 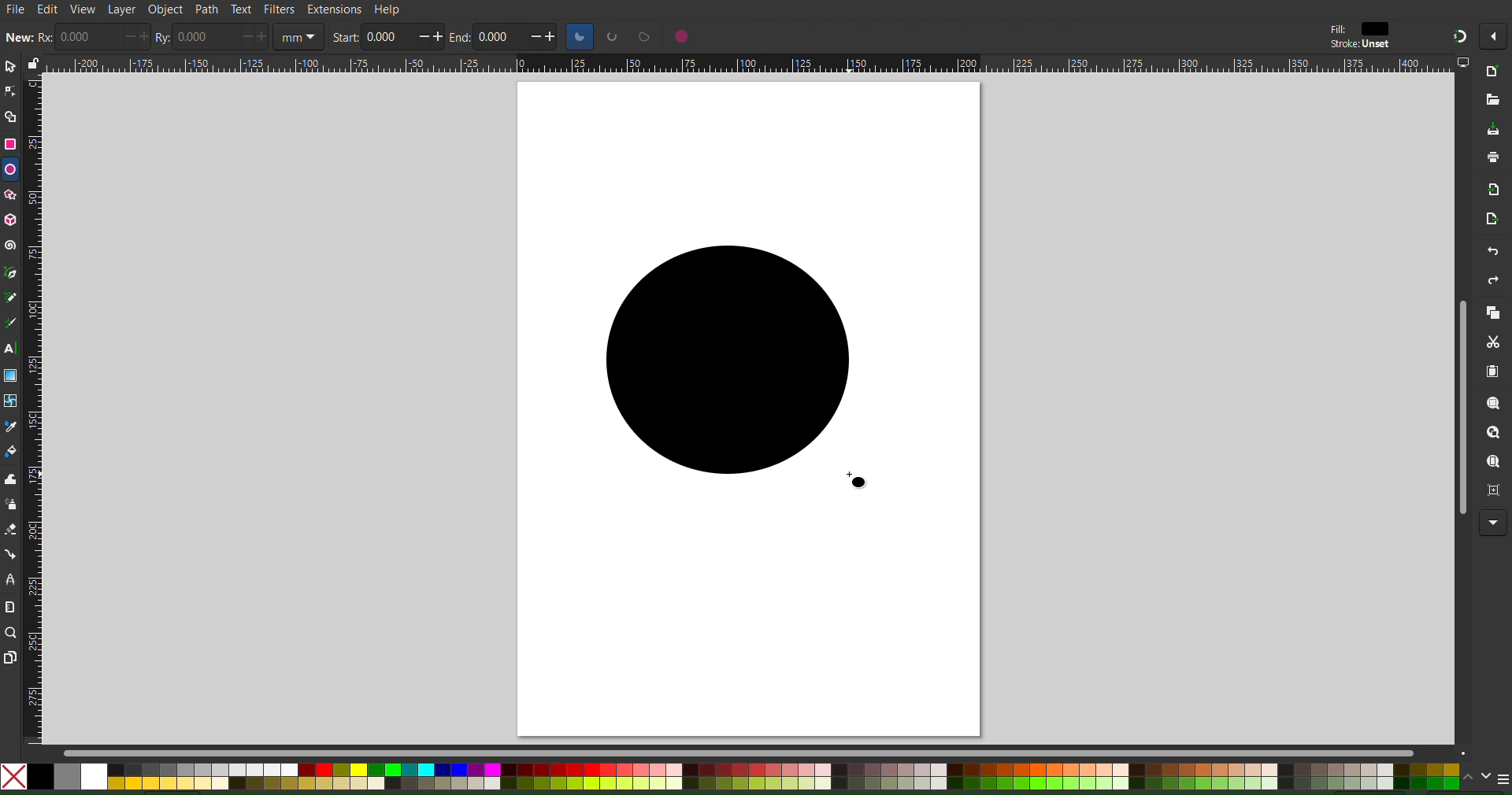 I want to click on circle options, so click(x=580, y=37).